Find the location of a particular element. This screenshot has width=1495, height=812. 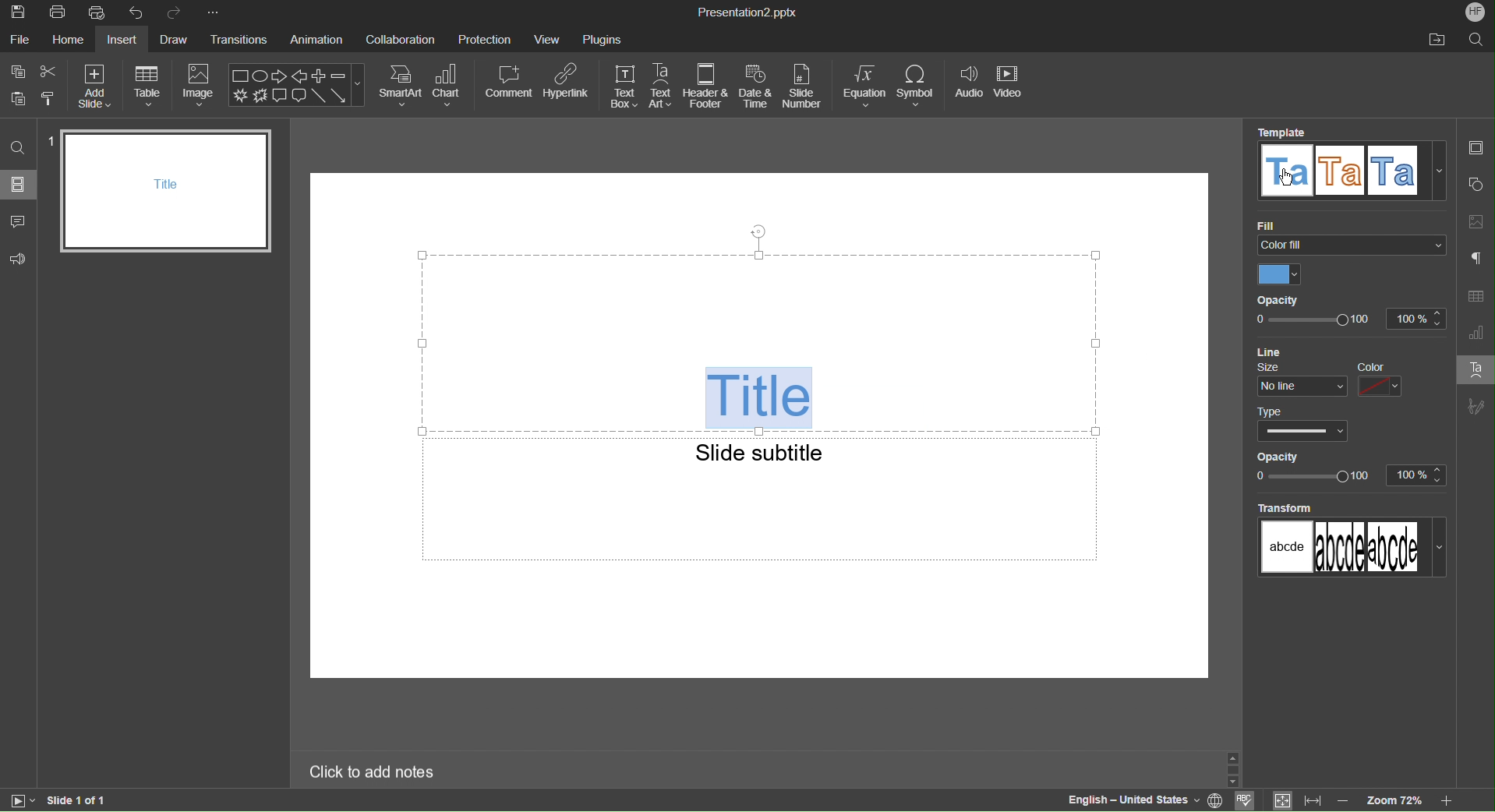

Slide subtitle is located at coordinates (755, 454).